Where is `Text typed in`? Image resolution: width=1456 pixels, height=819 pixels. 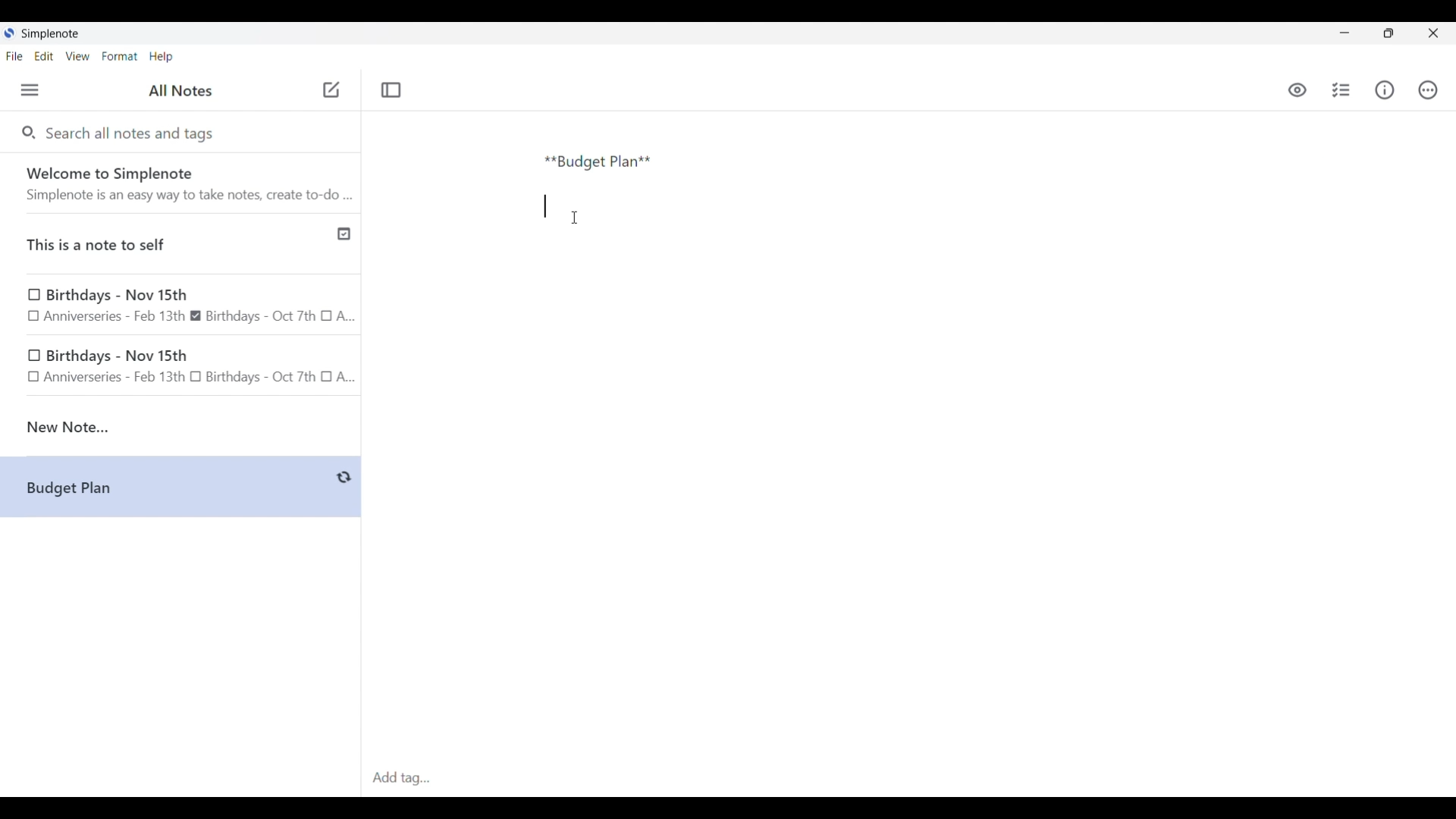
Text typed in is located at coordinates (598, 162).